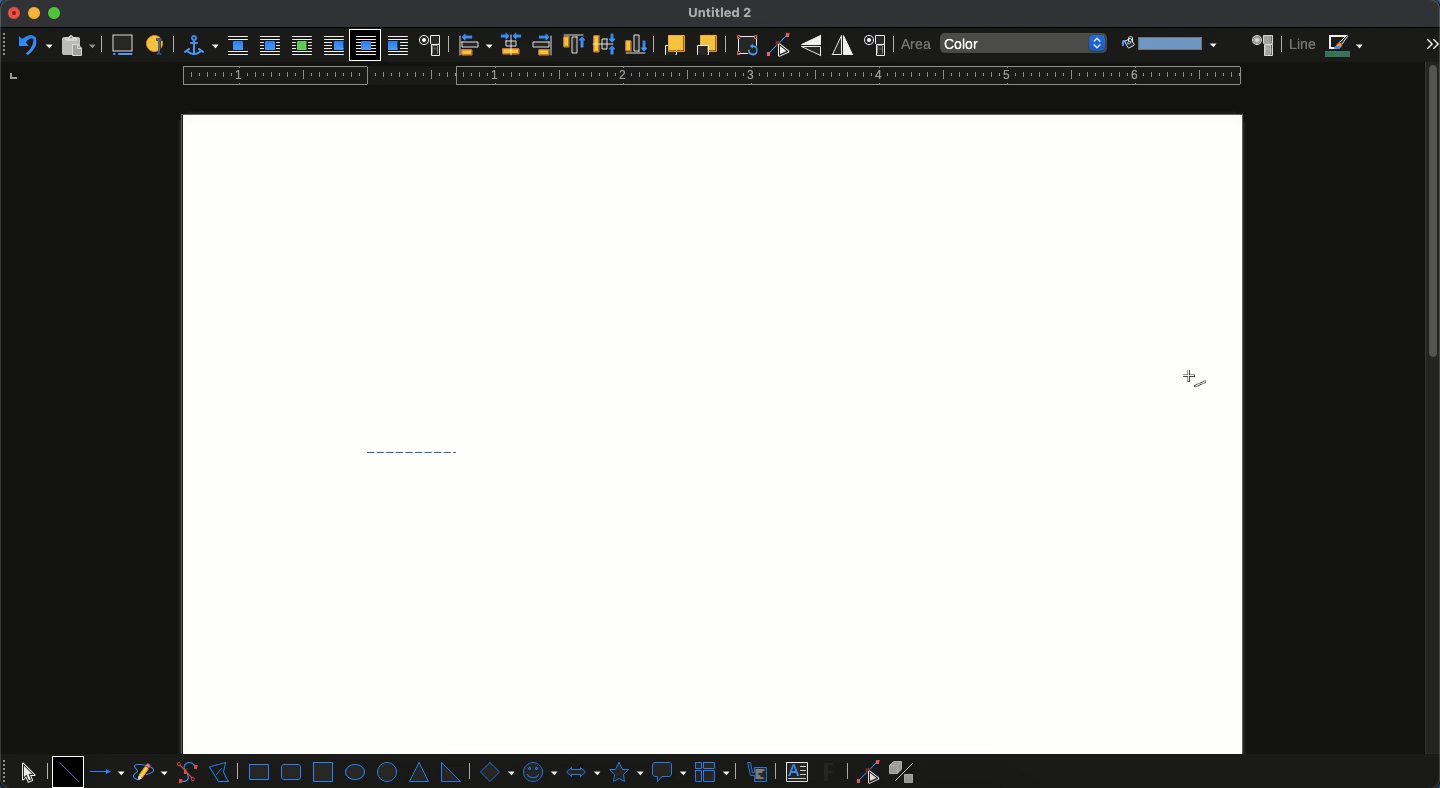 This screenshot has width=1440, height=788. I want to click on flip vertically, so click(811, 45).